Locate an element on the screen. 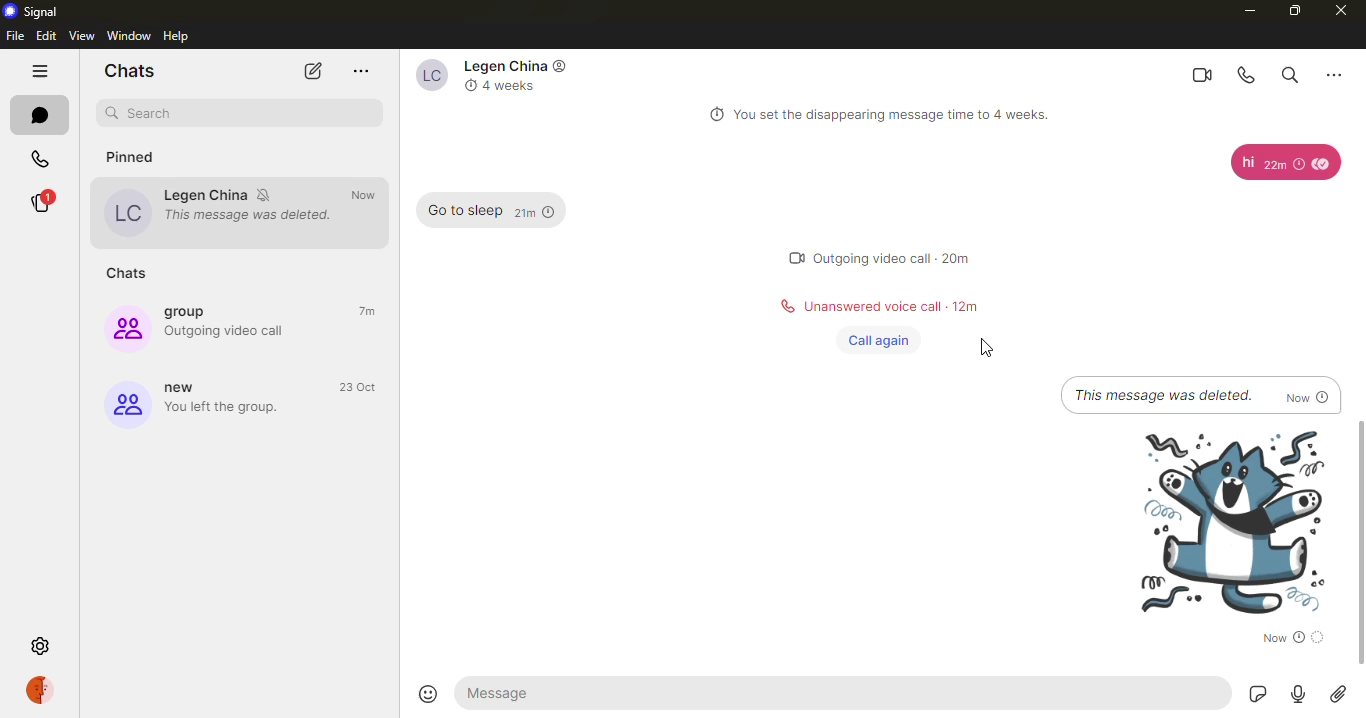 Image resolution: width=1366 pixels, height=718 pixels. profile is located at coordinates (42, 689).